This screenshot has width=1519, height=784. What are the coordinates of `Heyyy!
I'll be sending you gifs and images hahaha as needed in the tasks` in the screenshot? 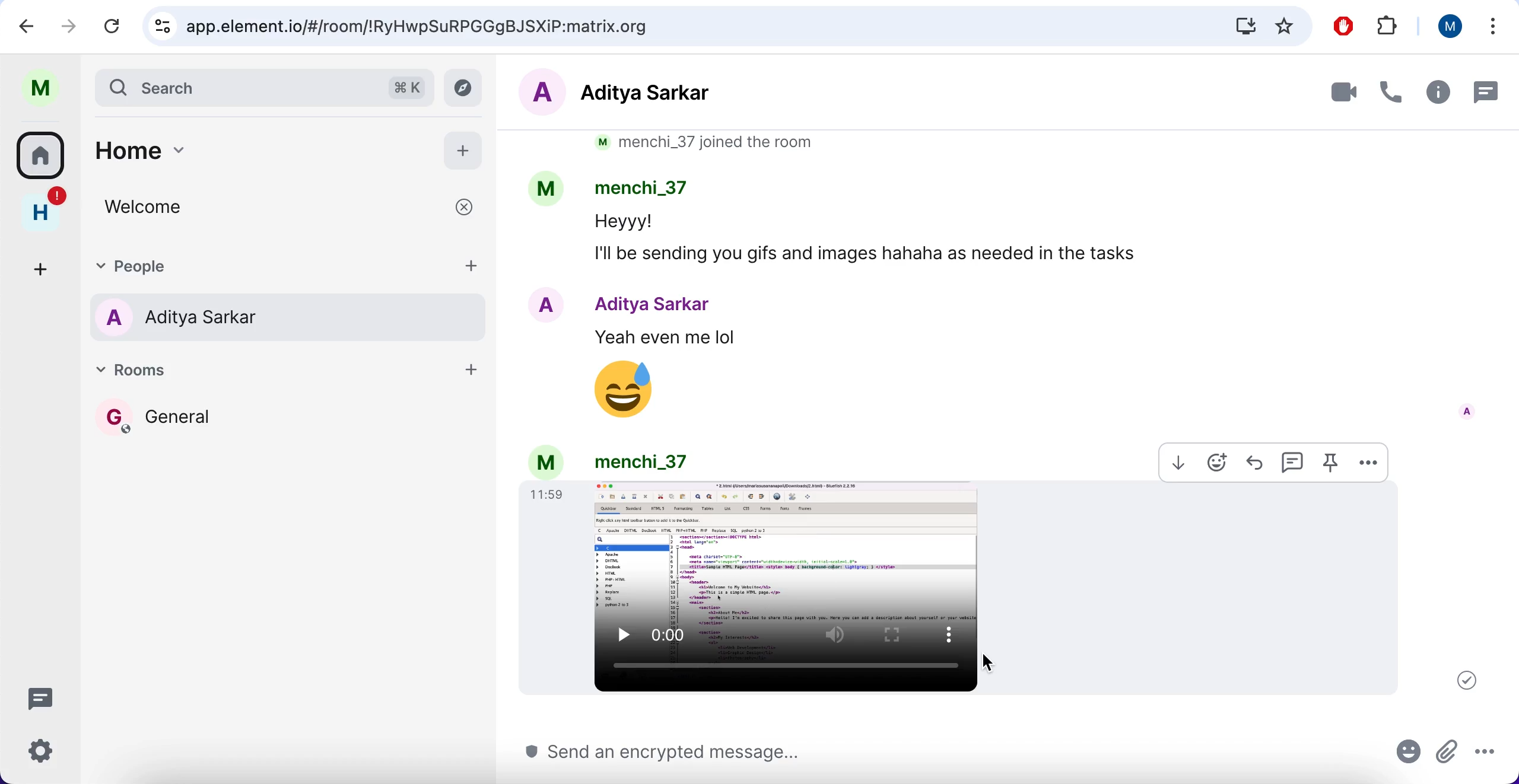 It's located at (860, 237).